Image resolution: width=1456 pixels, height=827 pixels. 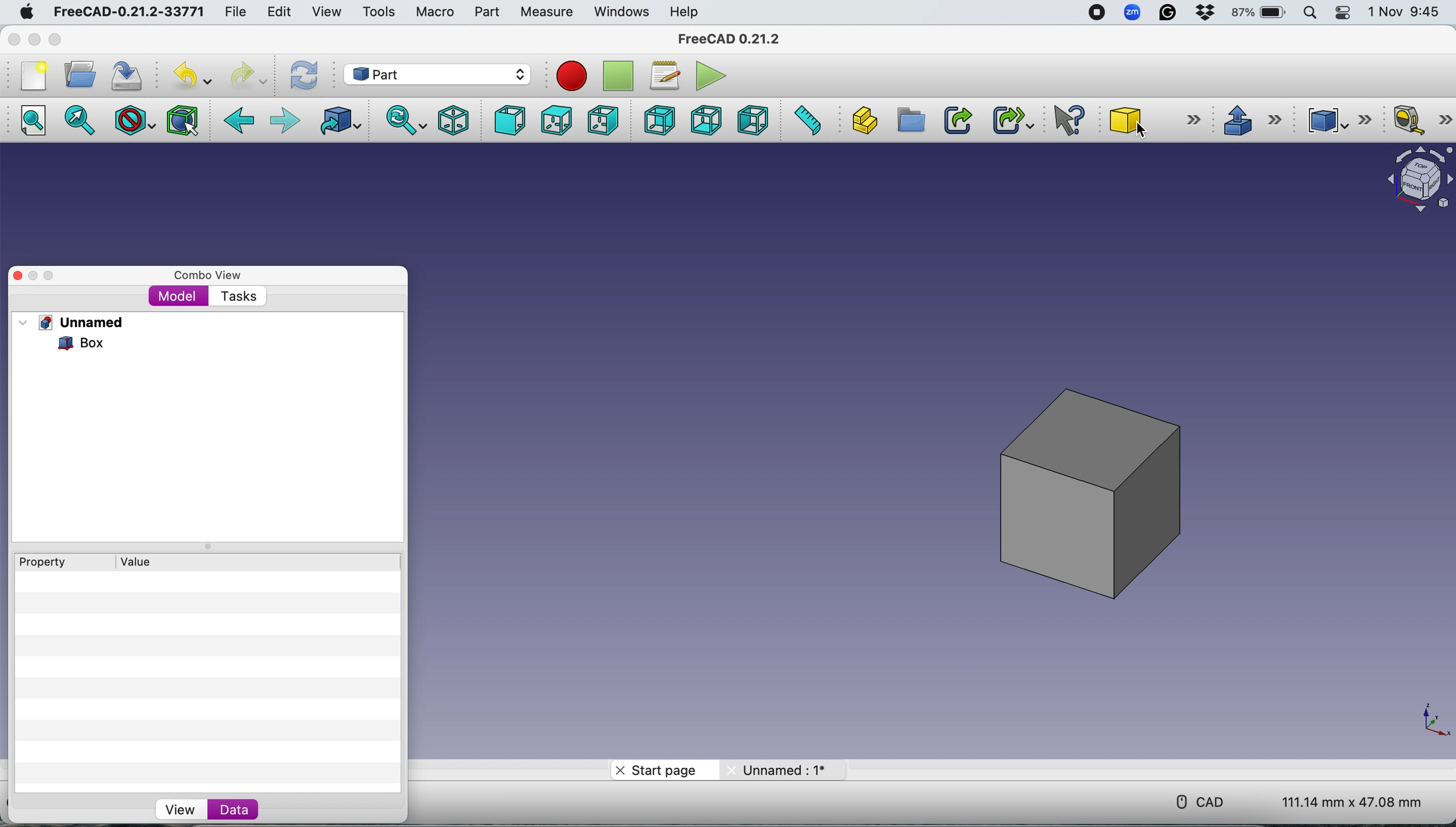 What do you see at coordinates (1343, 800) in the screenshot?
I see `111.14 mm x 47.08 mm` at bounding box center [1343, 800].